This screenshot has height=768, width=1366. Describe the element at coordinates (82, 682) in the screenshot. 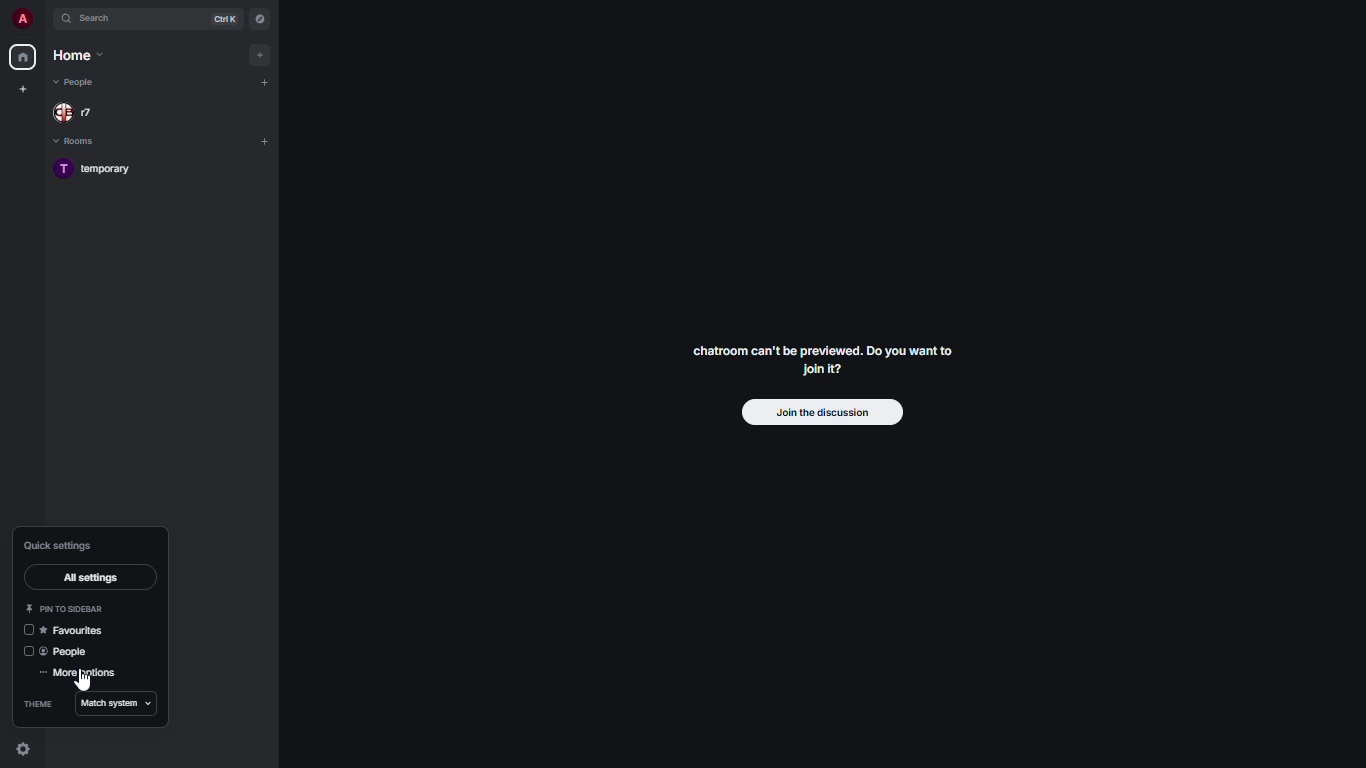

I see `cursor` at that location.